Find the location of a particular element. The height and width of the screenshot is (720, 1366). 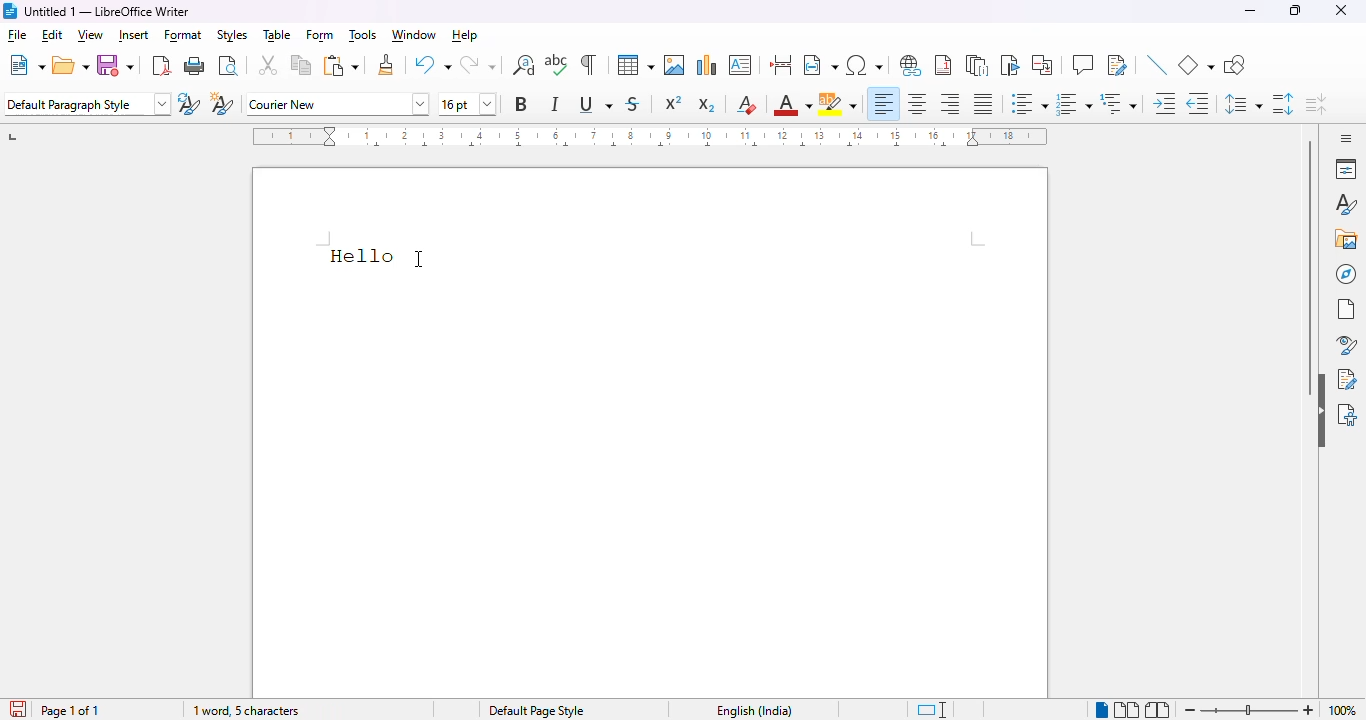

maximize is located at coordinates (1295, 10).